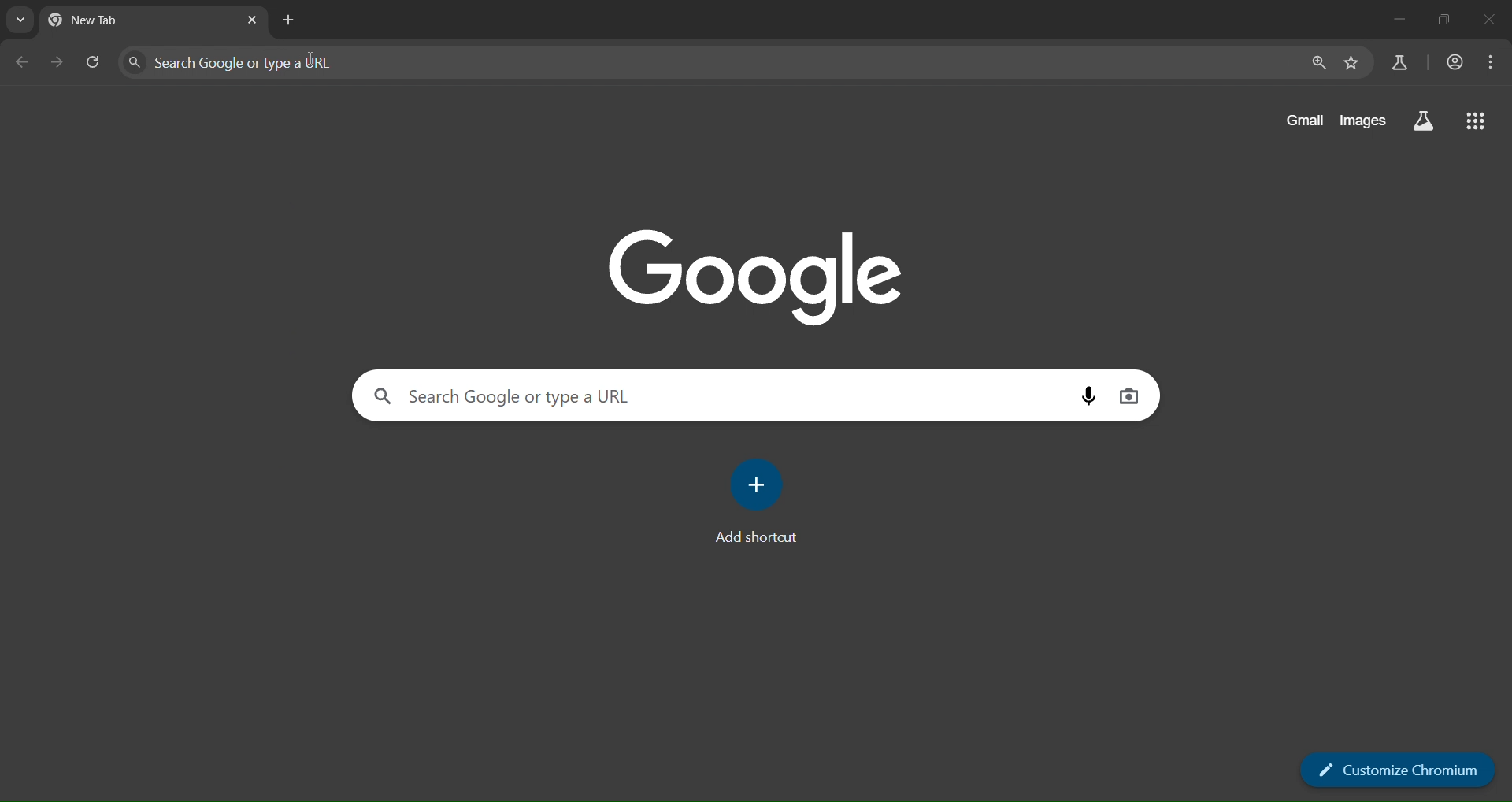  What do you see at coordinates (504, 395) in the screenshot?
I see `Search Google or type a URL` at bounding box center [504, 395].